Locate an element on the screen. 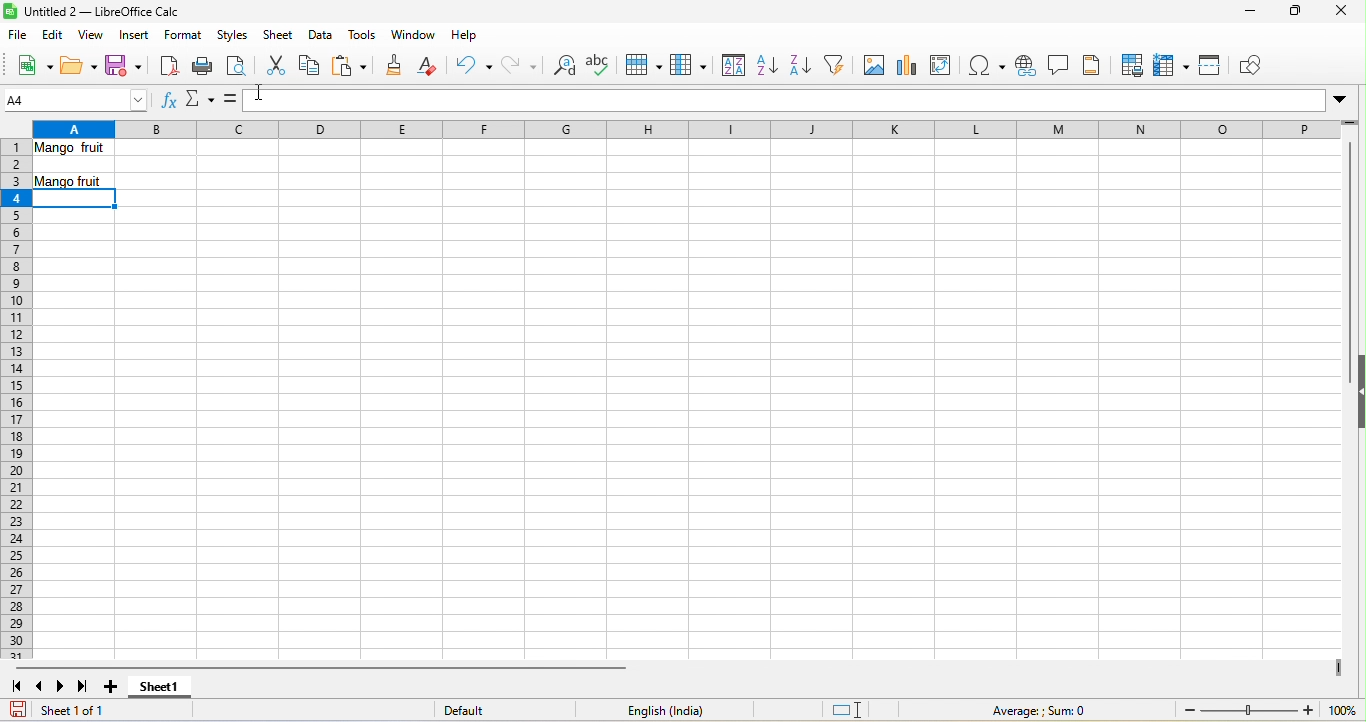 This screenshot has width=1366, height=722. minimize is located at coordinates (1248, 13).